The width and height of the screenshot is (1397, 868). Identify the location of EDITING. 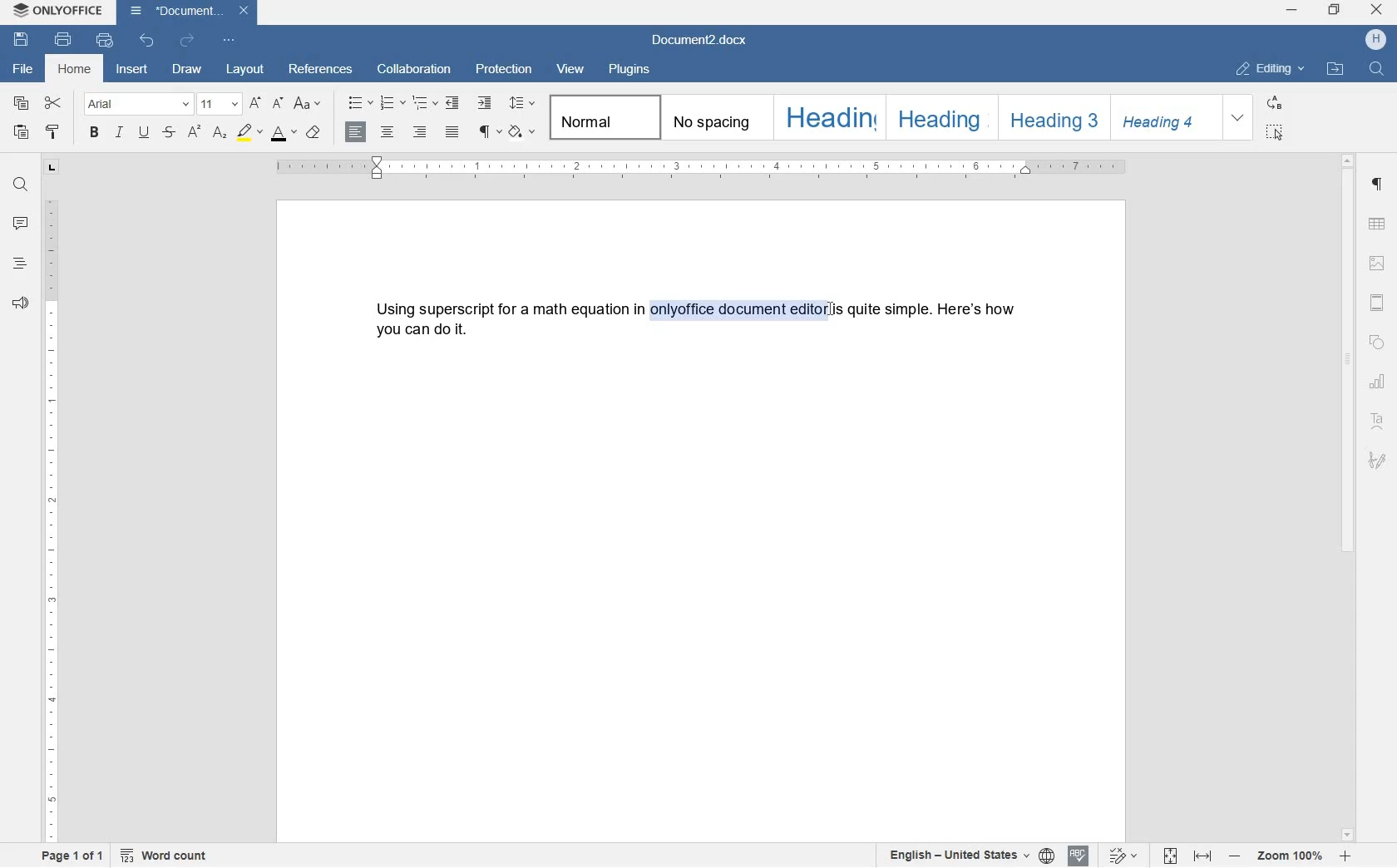
(1272, 70).